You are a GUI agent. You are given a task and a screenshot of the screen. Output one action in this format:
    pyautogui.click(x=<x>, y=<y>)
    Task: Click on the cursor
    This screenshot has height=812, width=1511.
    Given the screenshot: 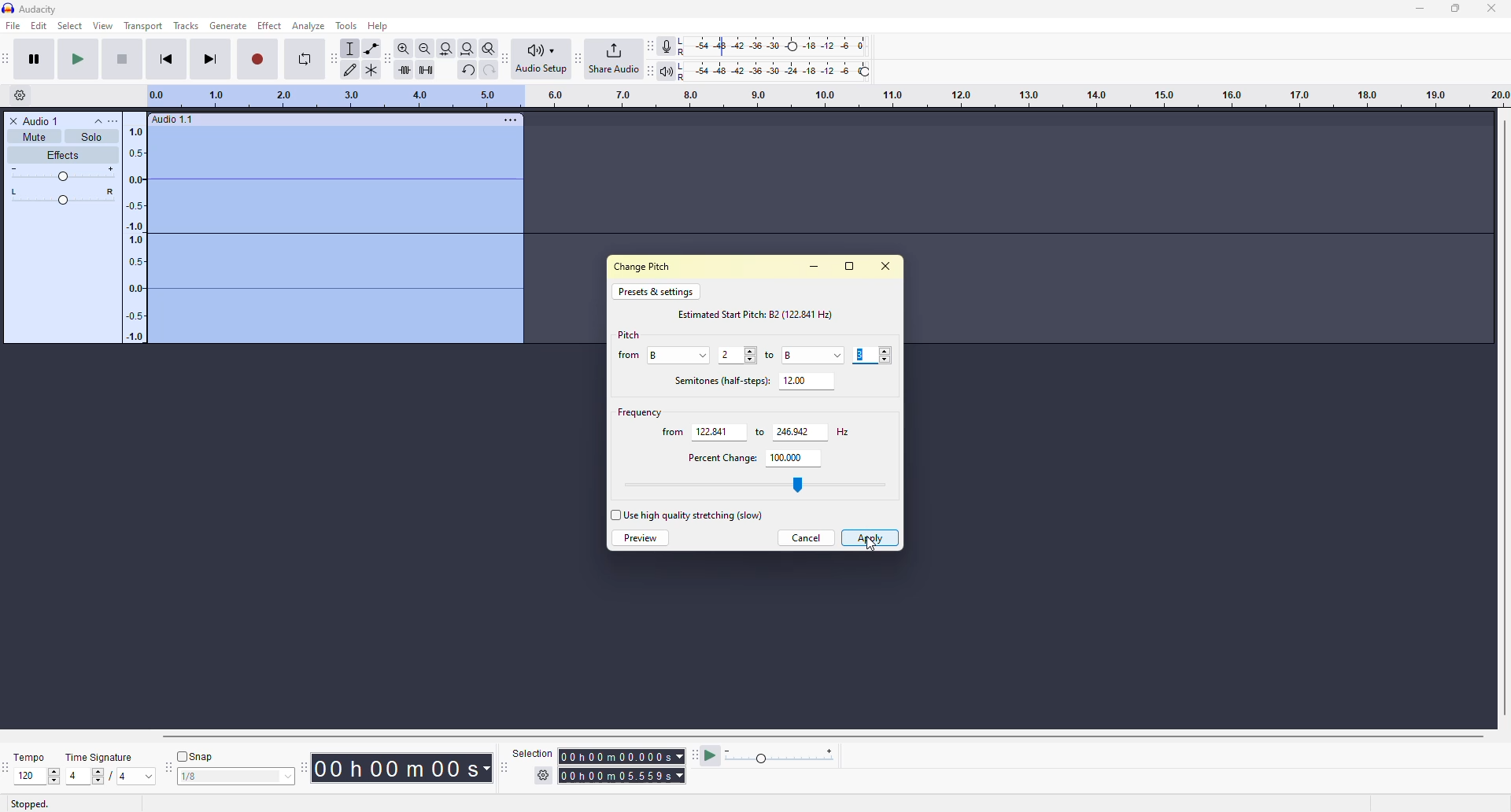 What is the action you would take?
    pyautogui.click(x=872, y=545)
    